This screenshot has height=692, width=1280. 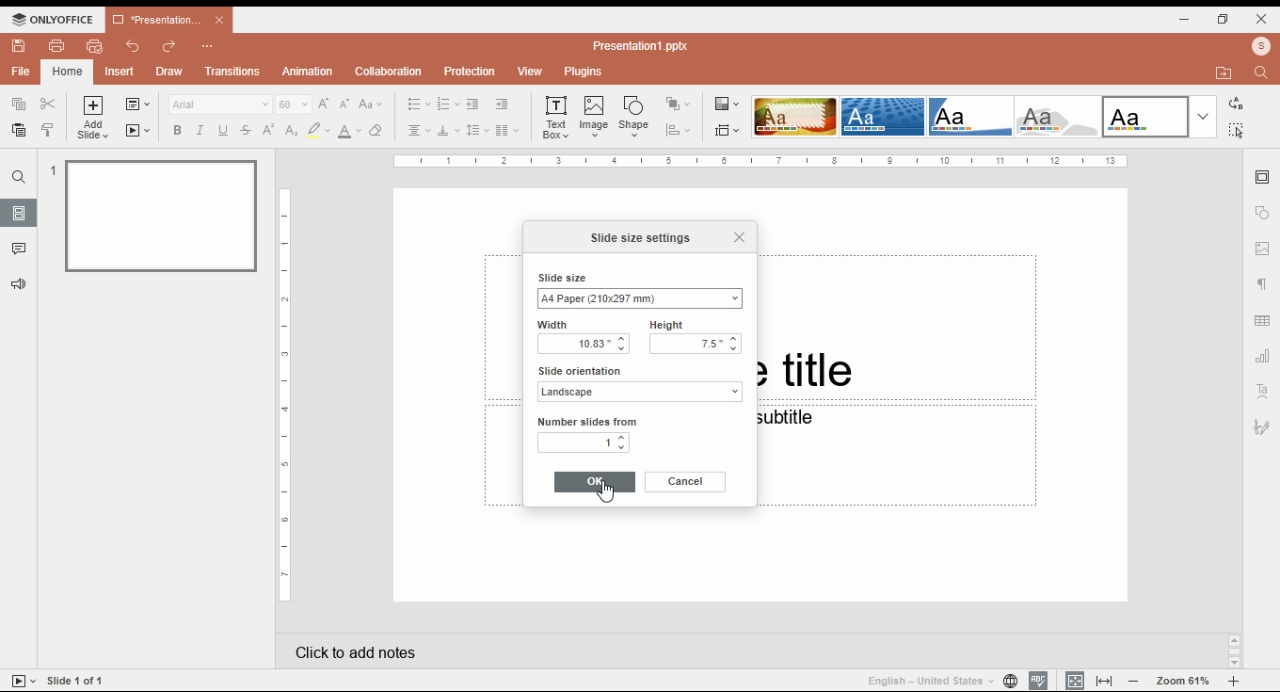 I want to click on find, so click(x=1235, y=130).